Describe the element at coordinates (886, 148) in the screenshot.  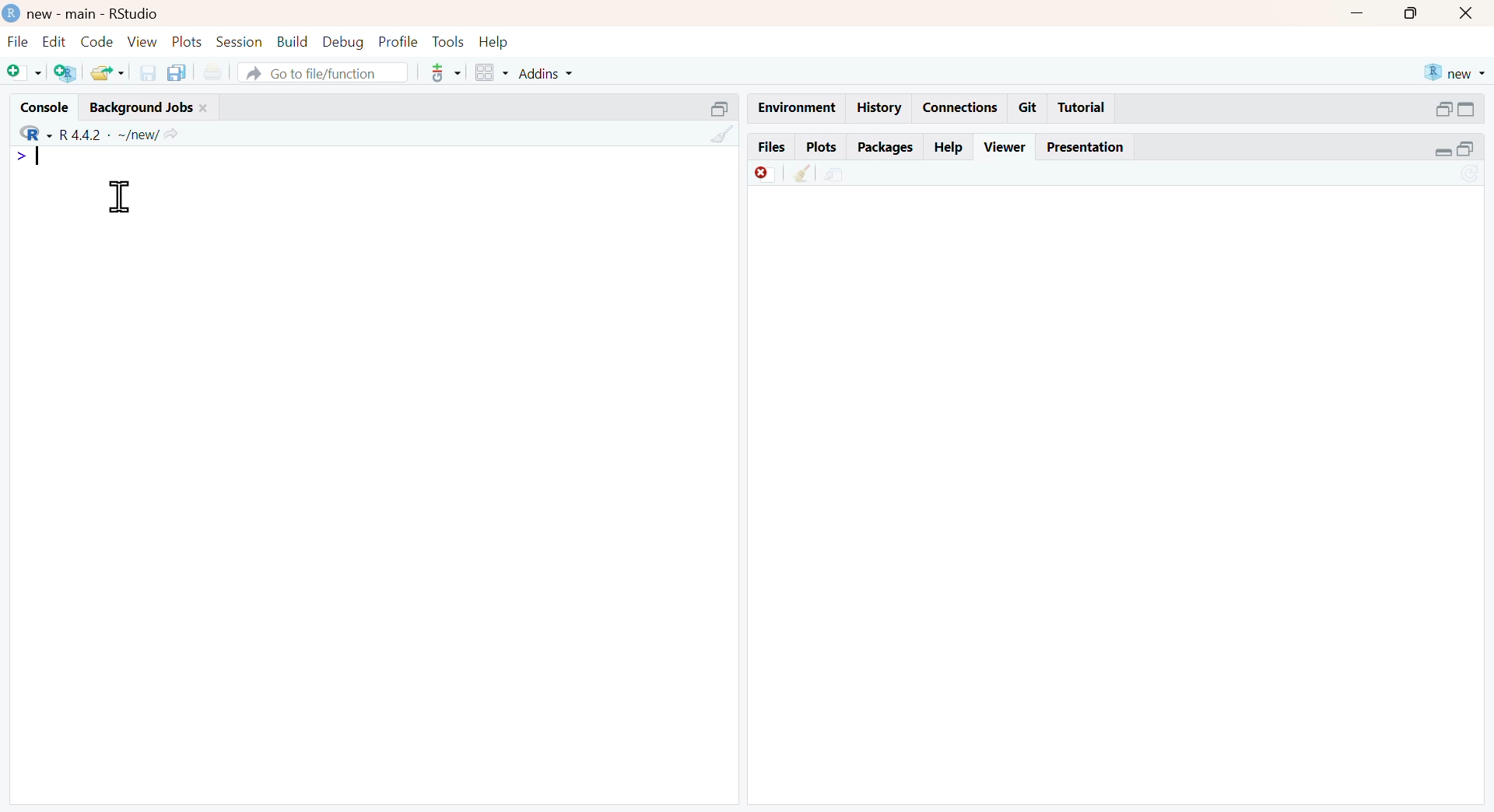
I see `packages` at that location.